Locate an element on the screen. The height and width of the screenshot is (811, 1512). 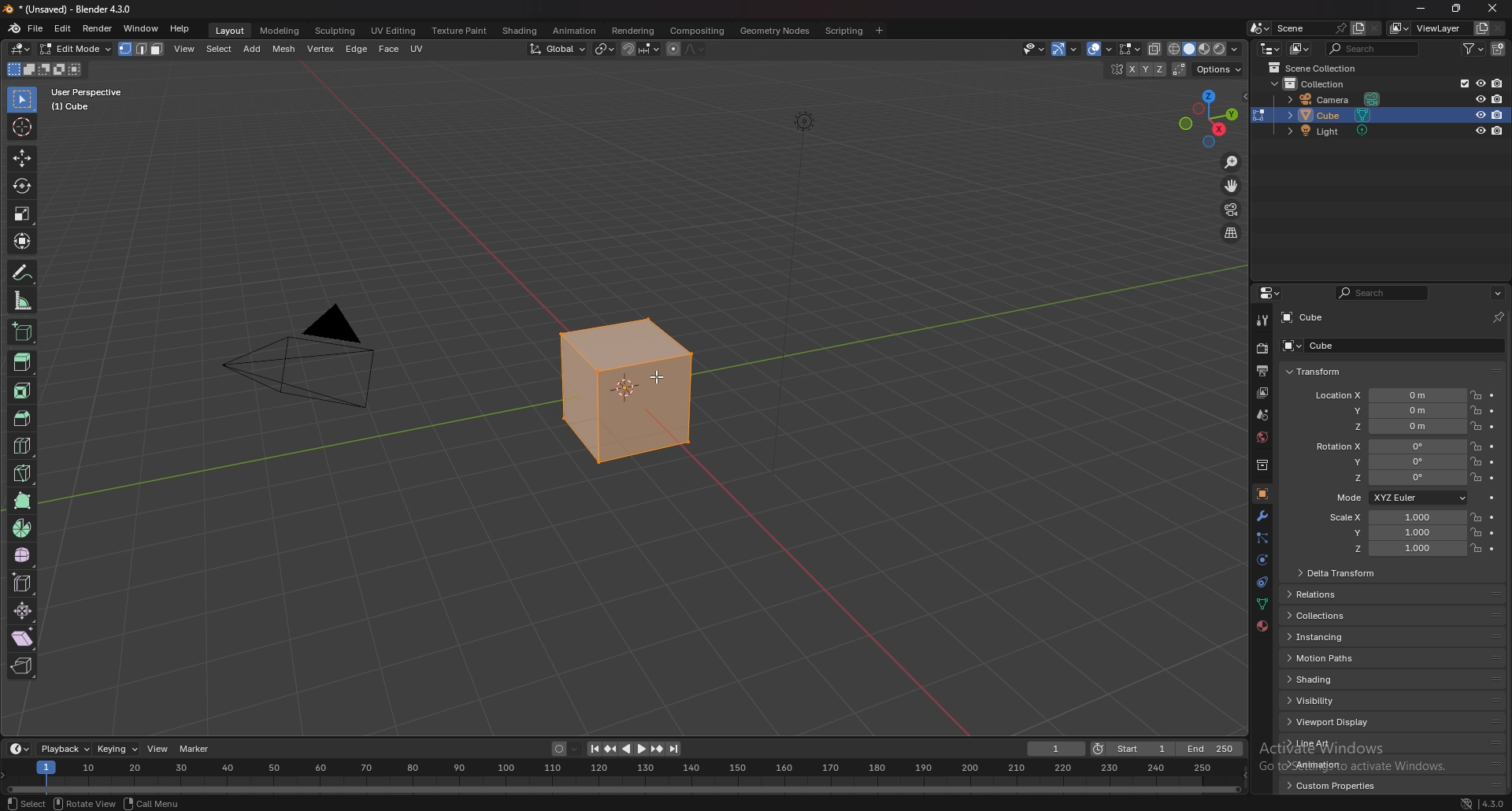
search is located at coordinates (1380, 293).